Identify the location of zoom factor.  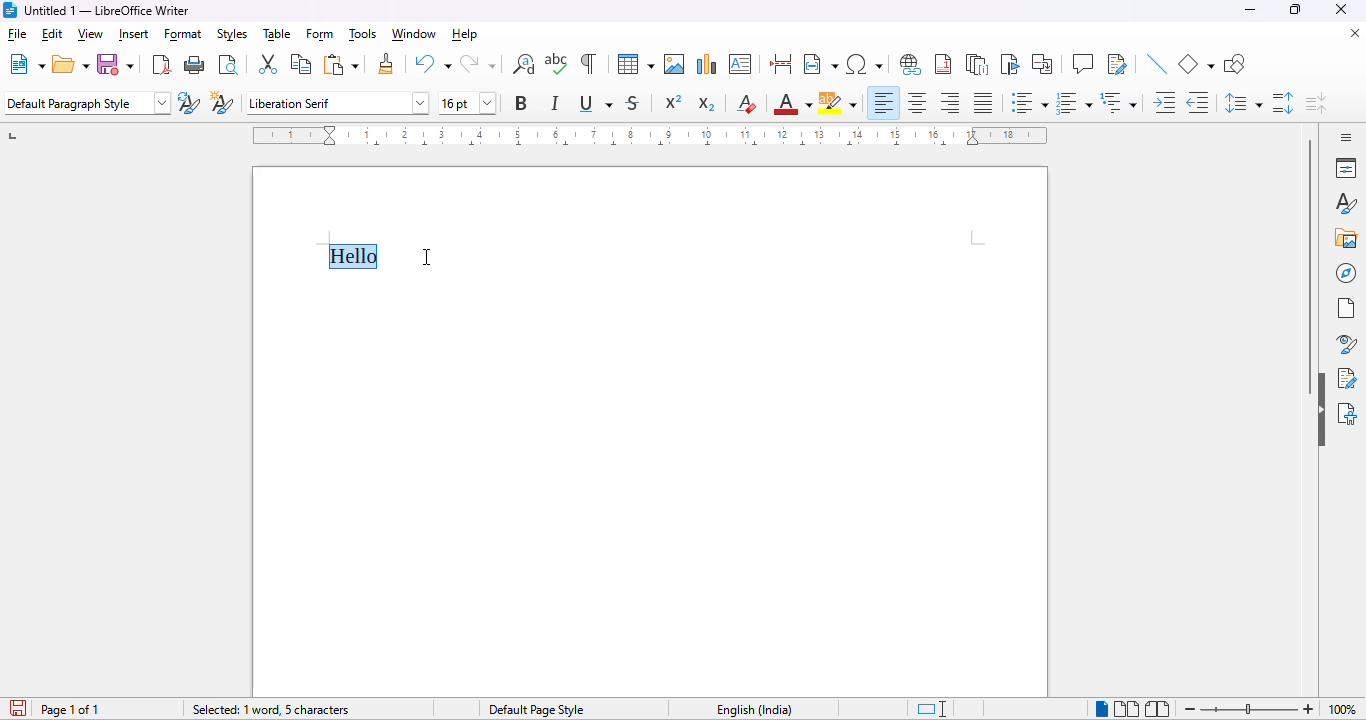
(1345, 710).